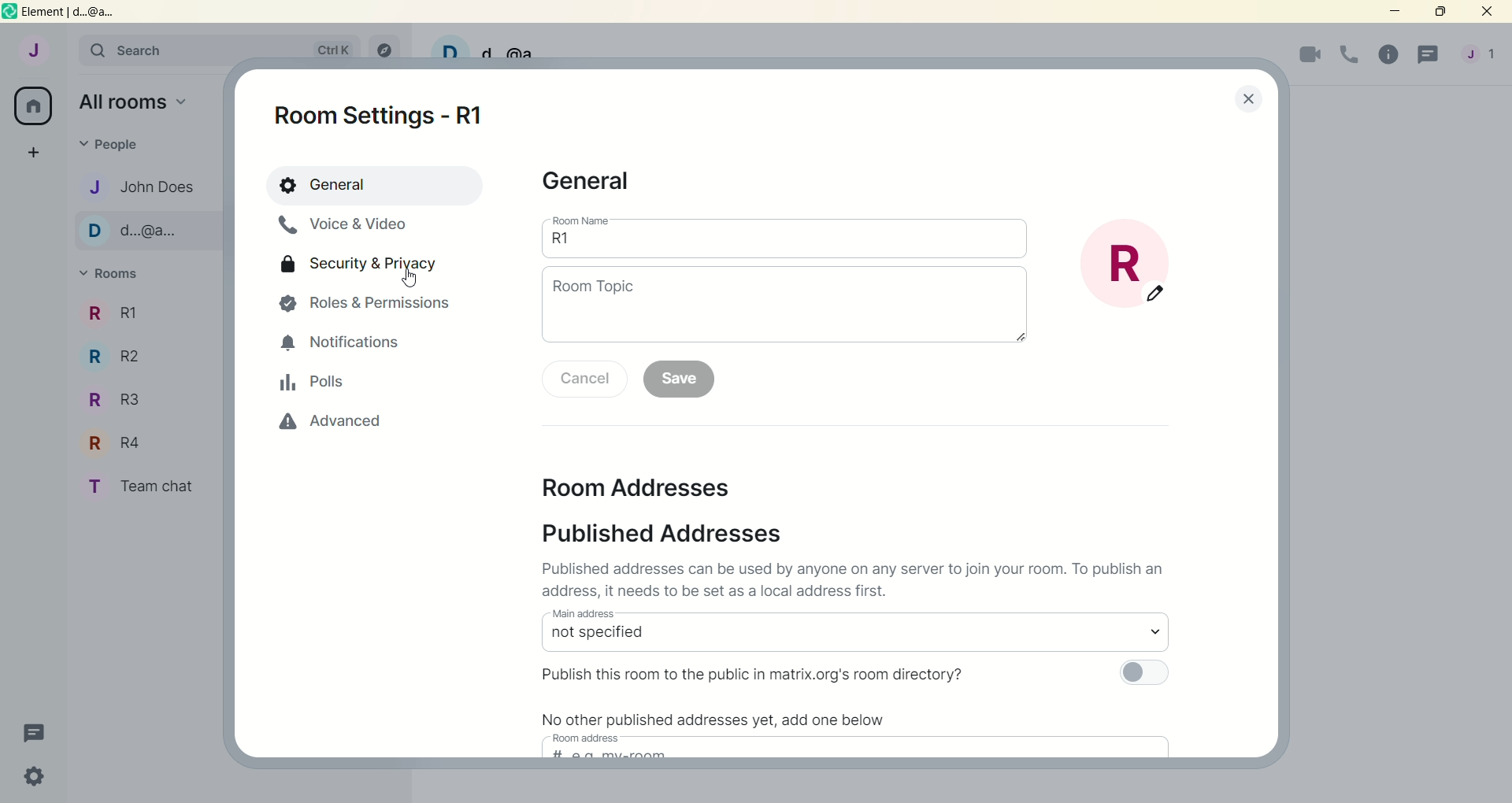 Image resolution: width=1512 pixels, height=803 pixels. What do you see at coordinates (1397, 13) in the screenshot?
I see `minimize` at bounding box center [1397, 13].